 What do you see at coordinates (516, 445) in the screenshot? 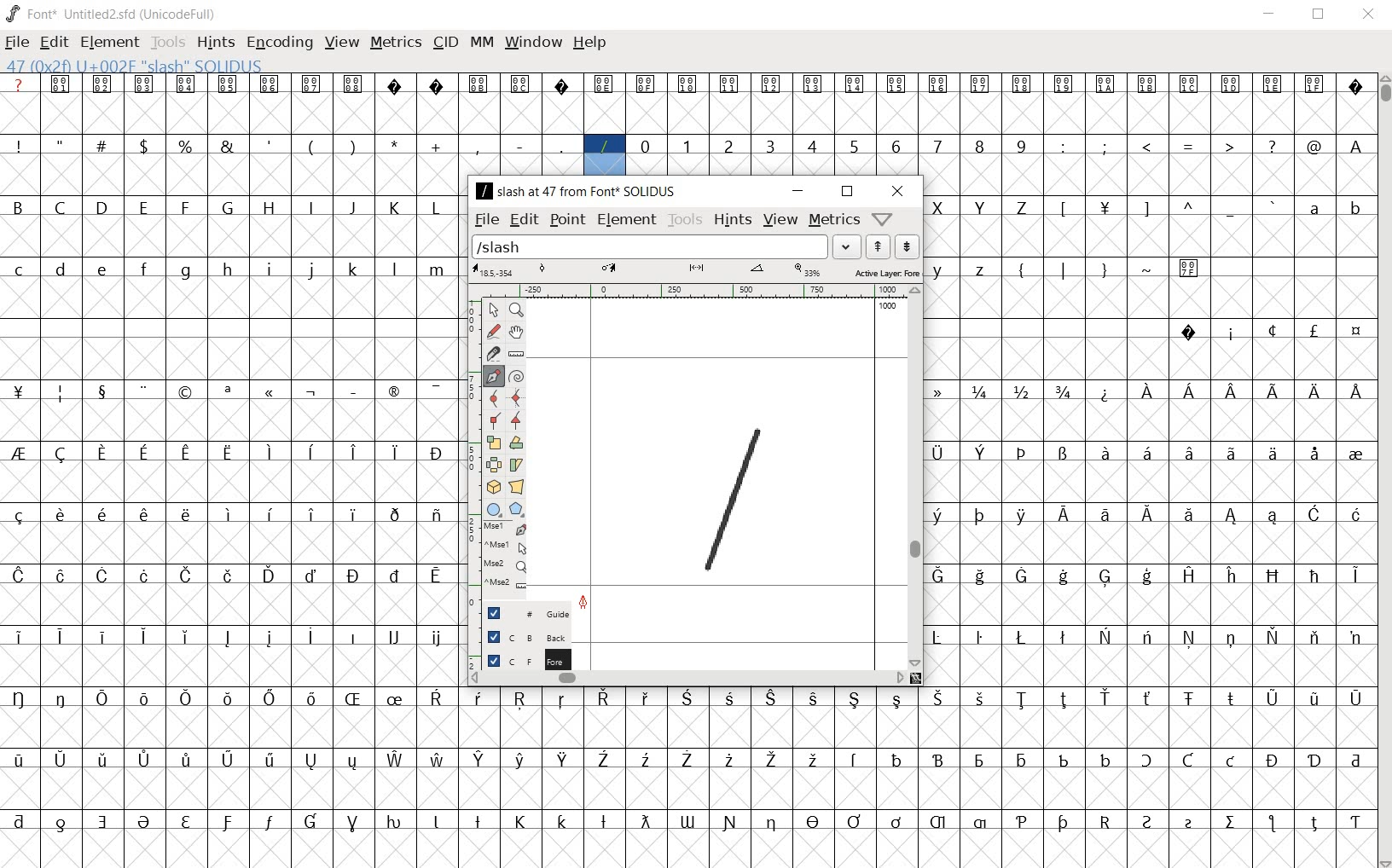
I see `Rotate the selection` at bounding box center [516, 445].